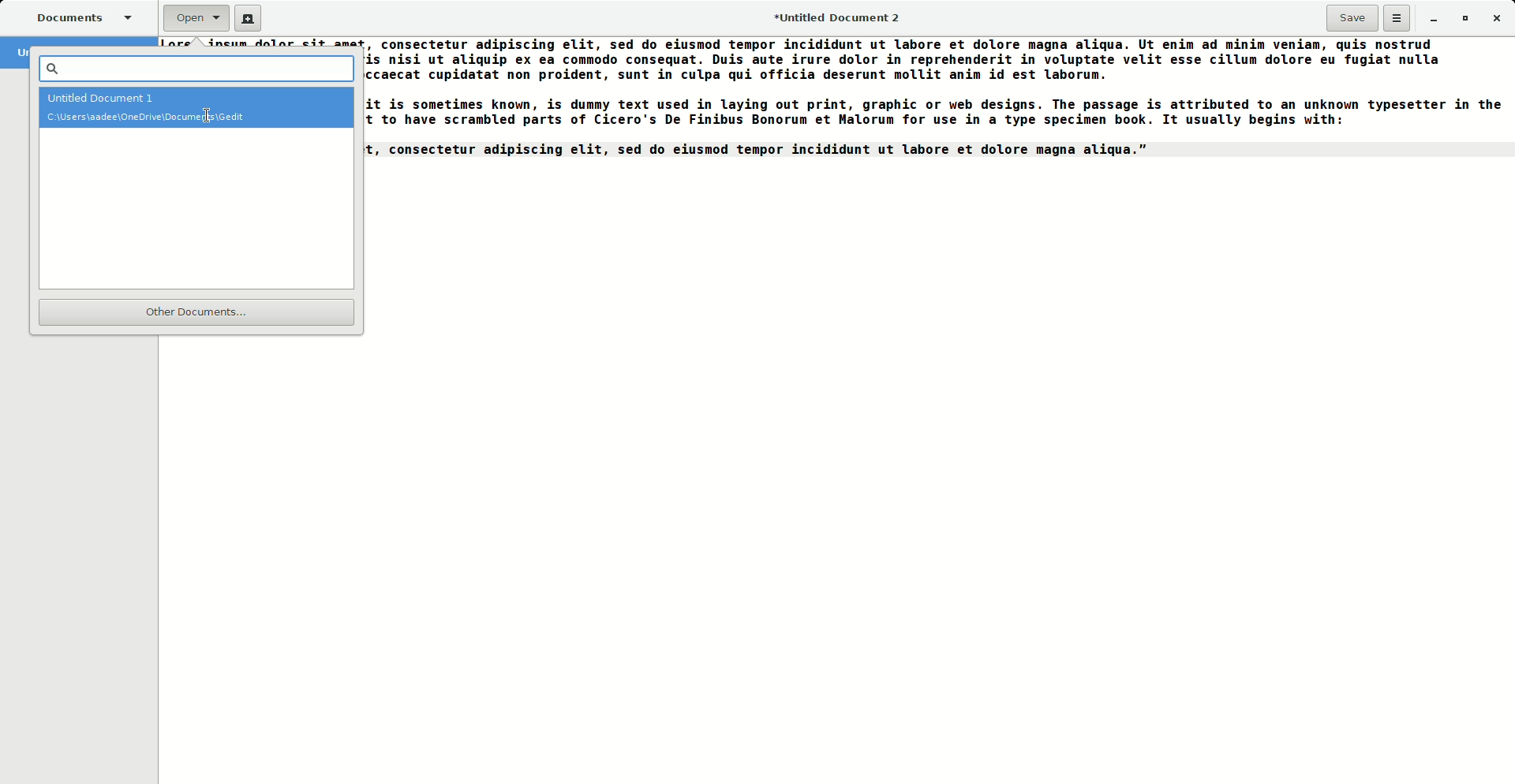 The width and height of the screenshot is (1515, 784). I want to click on Paragraphs, so click(935, 106).